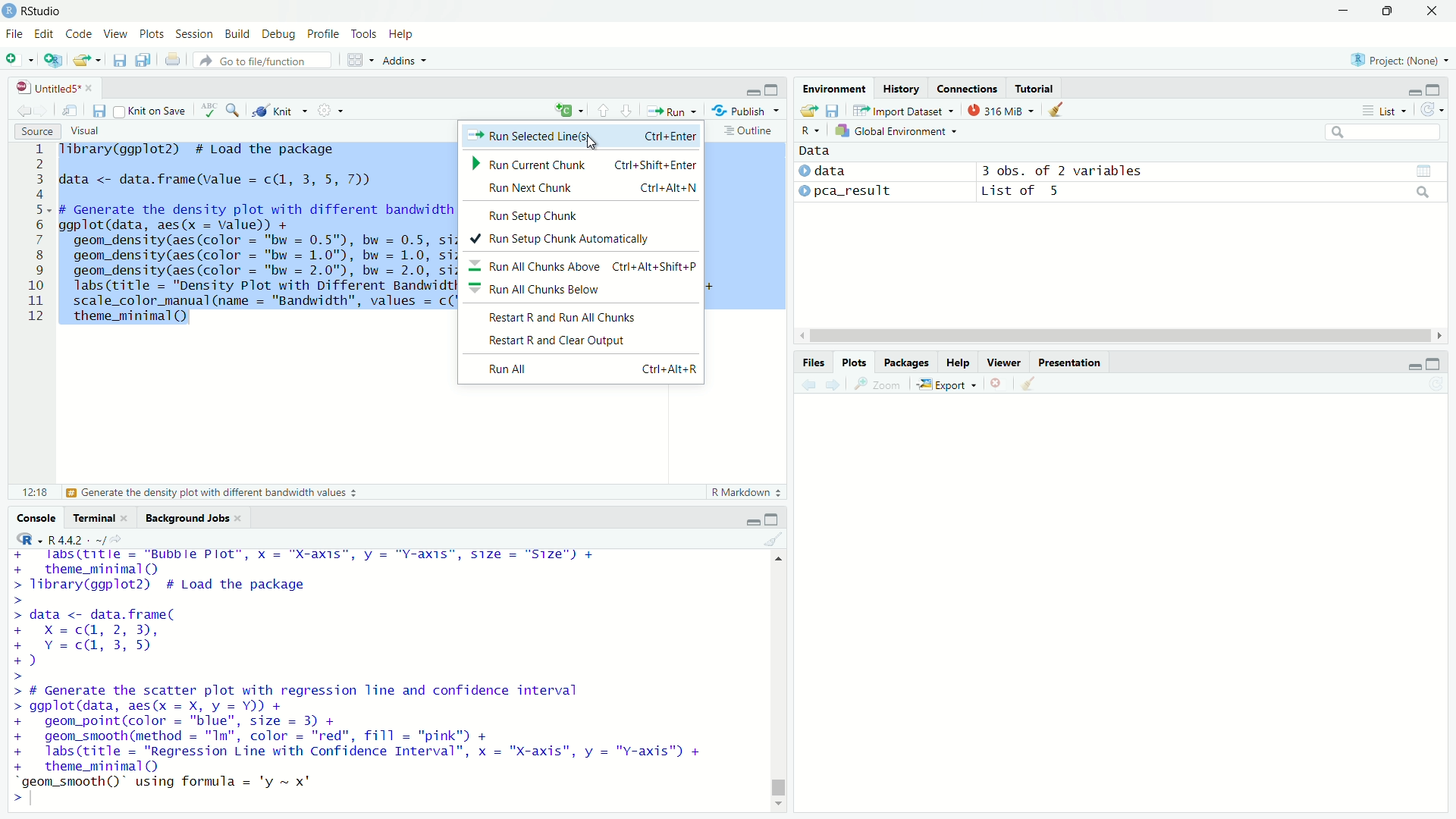  I want to click on List of 5, so click(1023, 192).